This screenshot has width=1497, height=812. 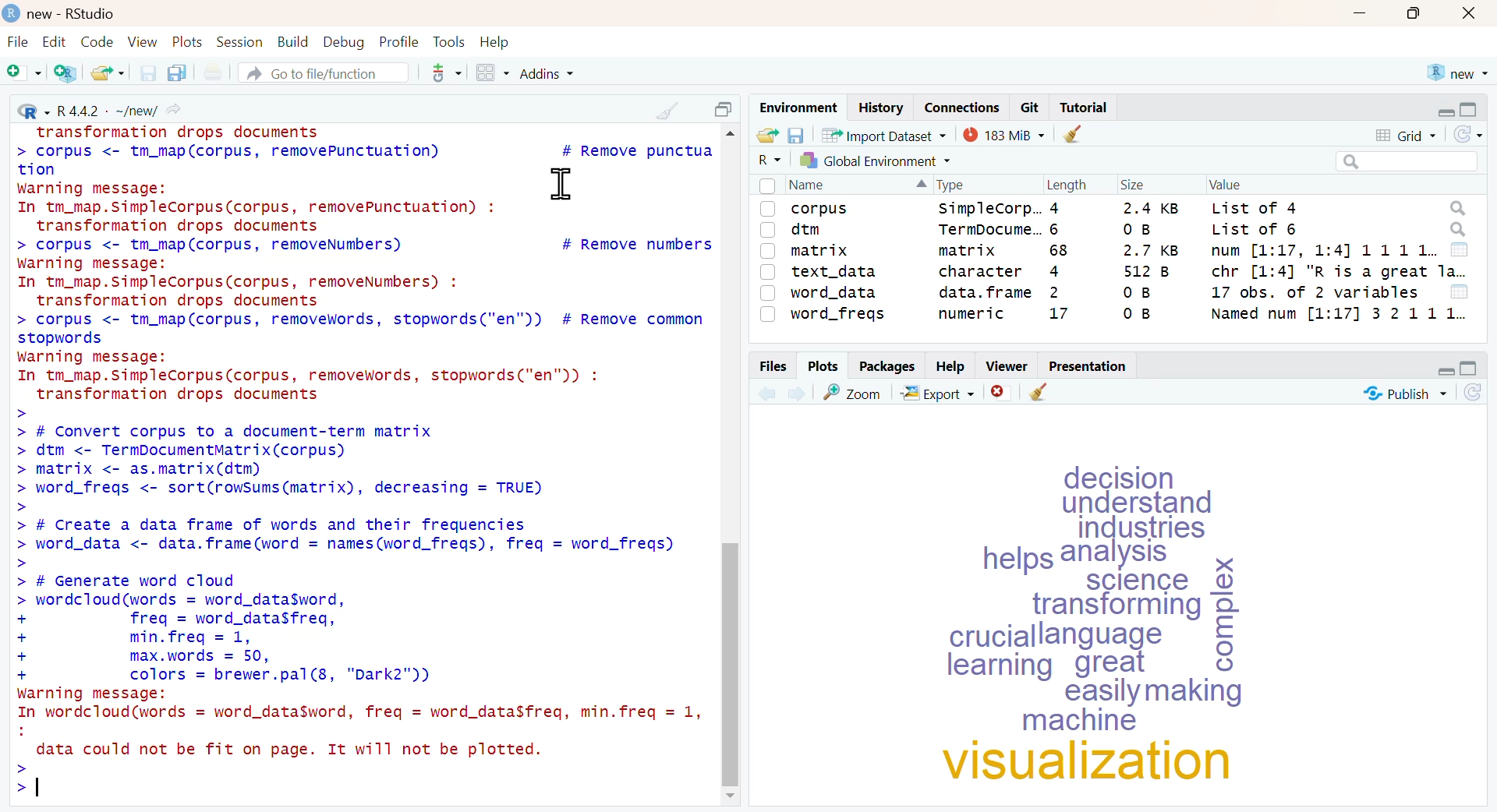 I want to click on Save all the open documents, so click(x=176, y=72).